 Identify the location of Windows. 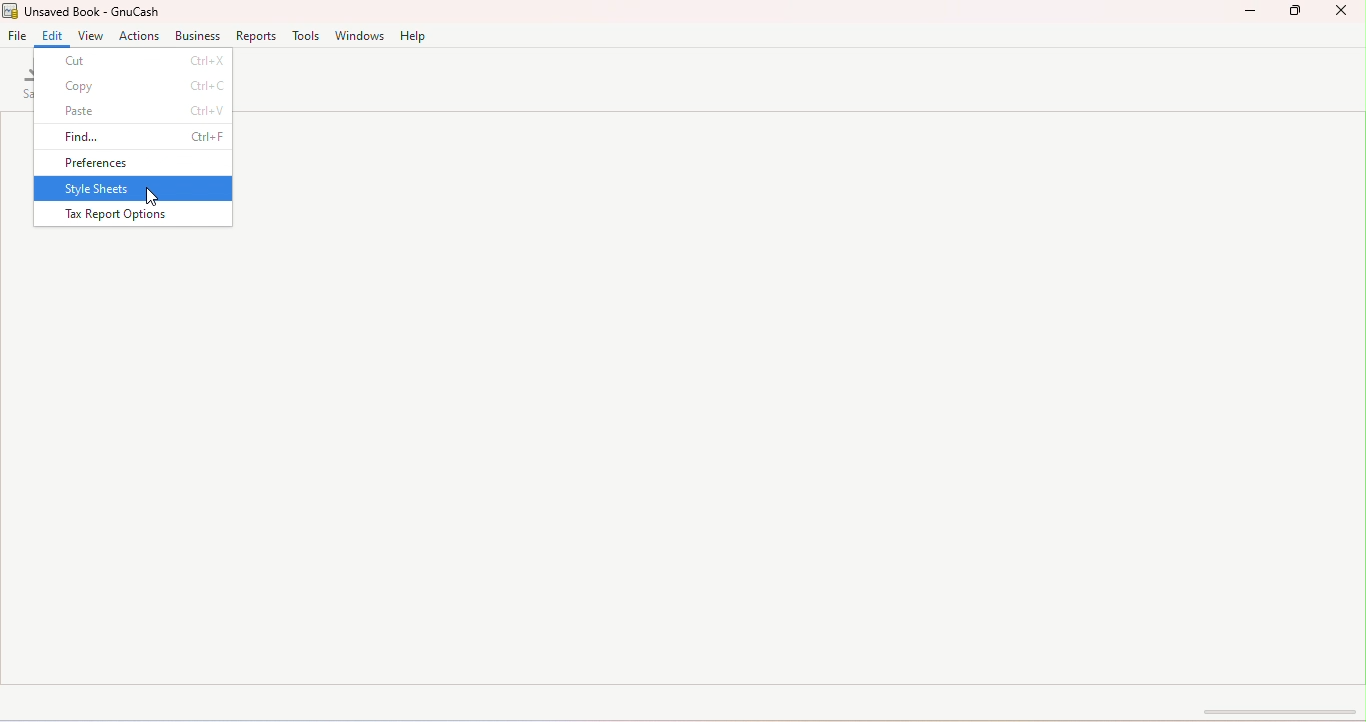
(363, 36).